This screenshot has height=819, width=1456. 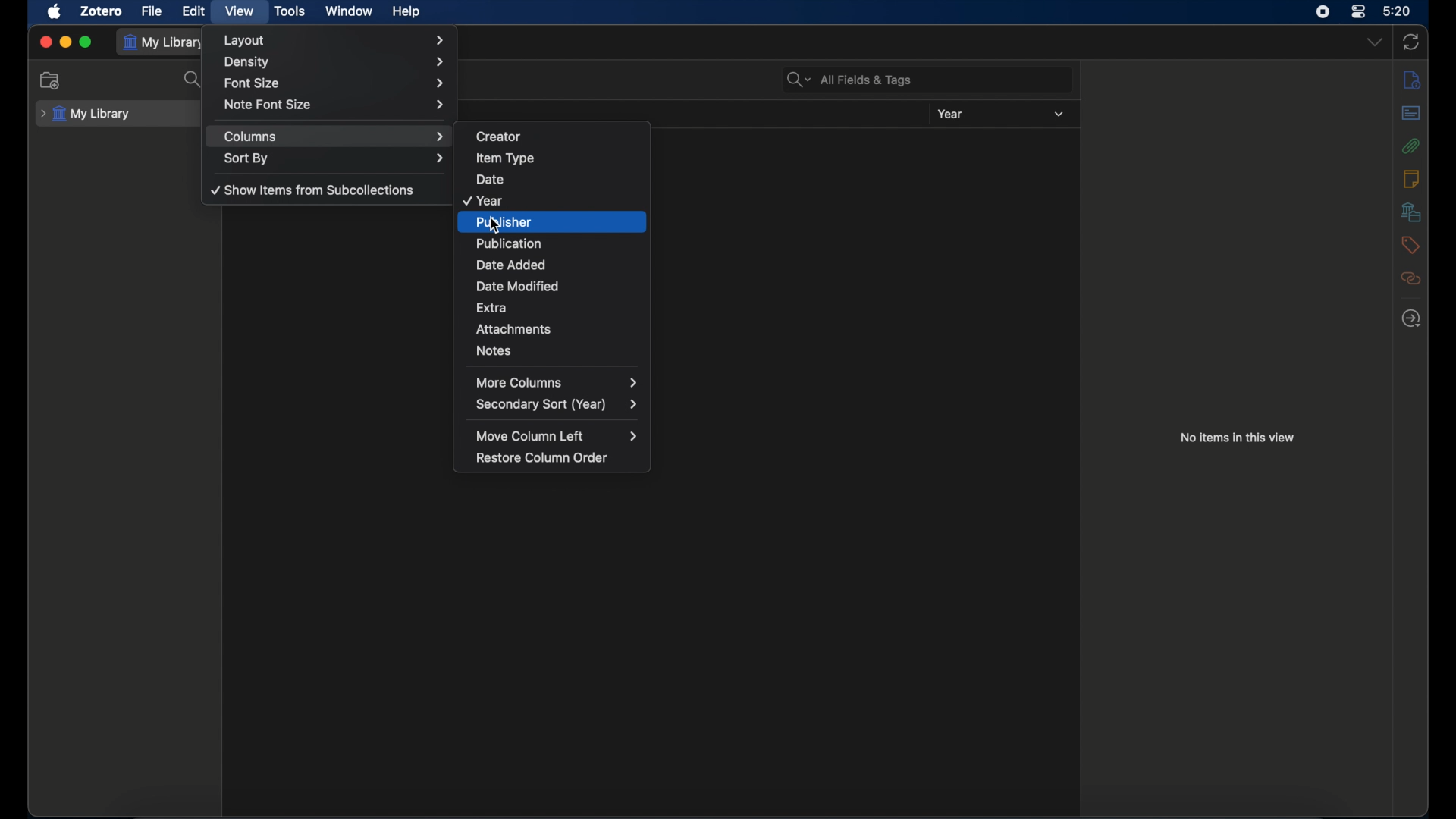 I want to click on search bar, so click(x=849, y=80).